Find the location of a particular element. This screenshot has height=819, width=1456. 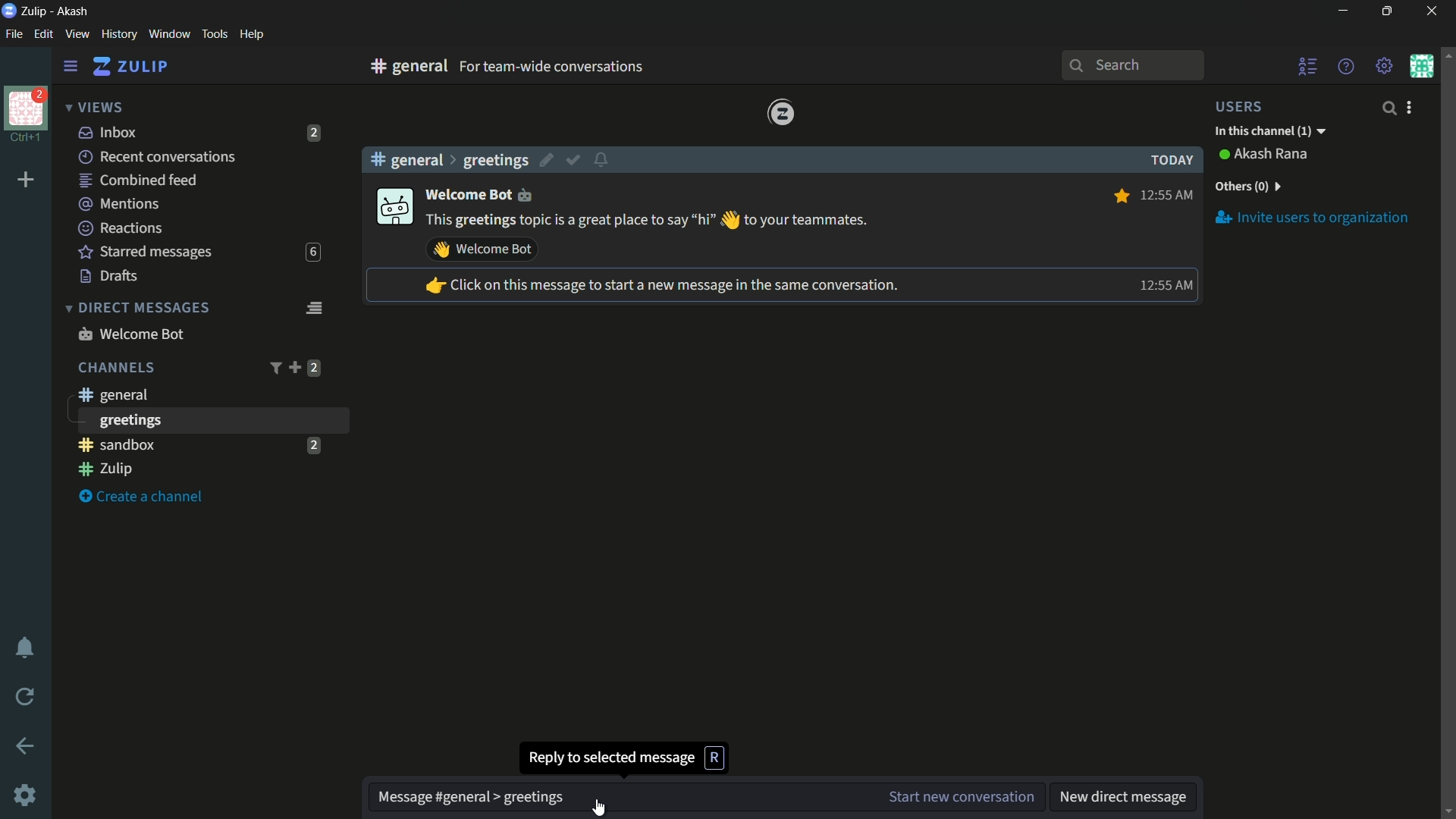

display picture is located at coordinates (393, 208).